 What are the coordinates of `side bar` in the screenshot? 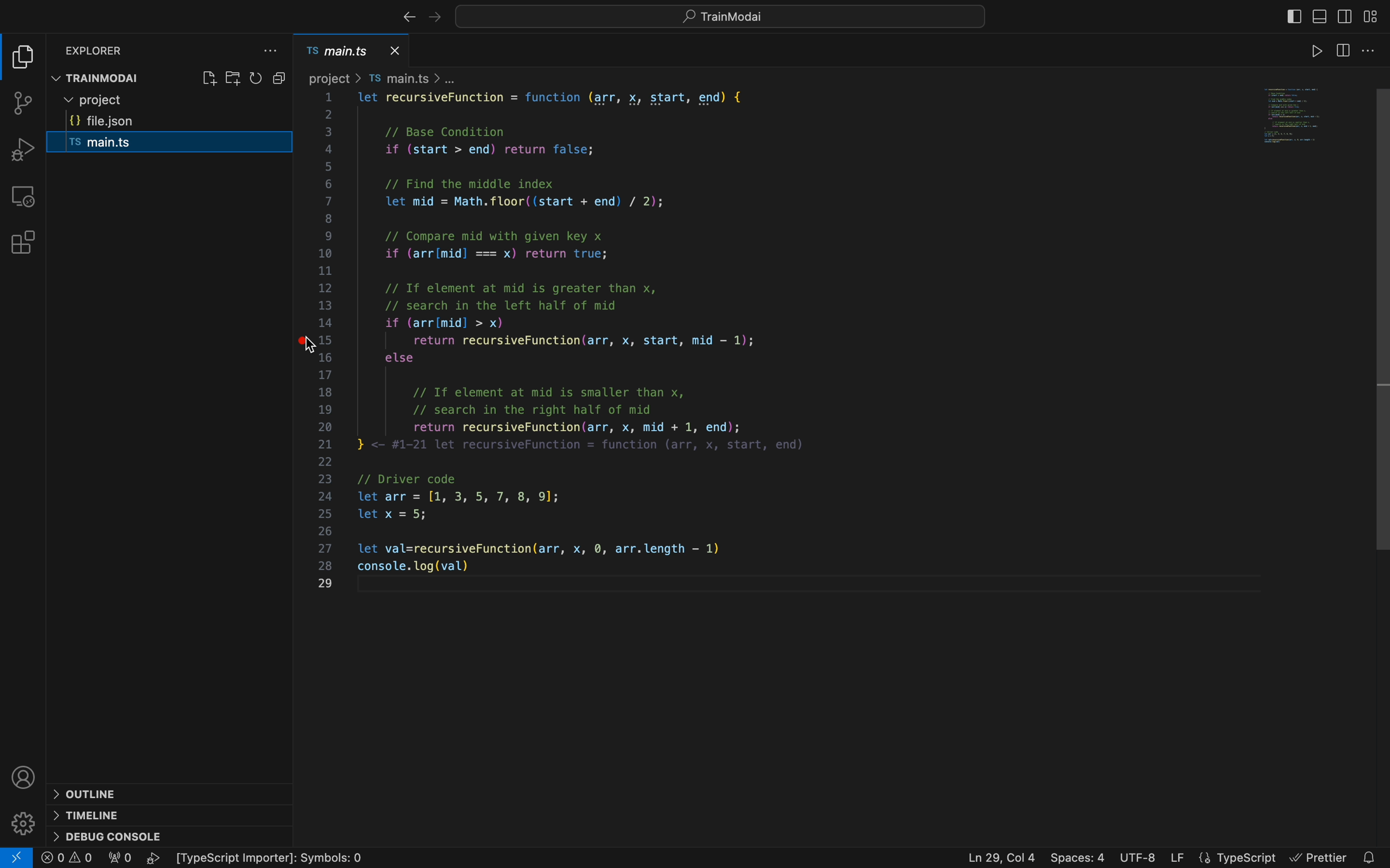 It's located at (1286, 15).